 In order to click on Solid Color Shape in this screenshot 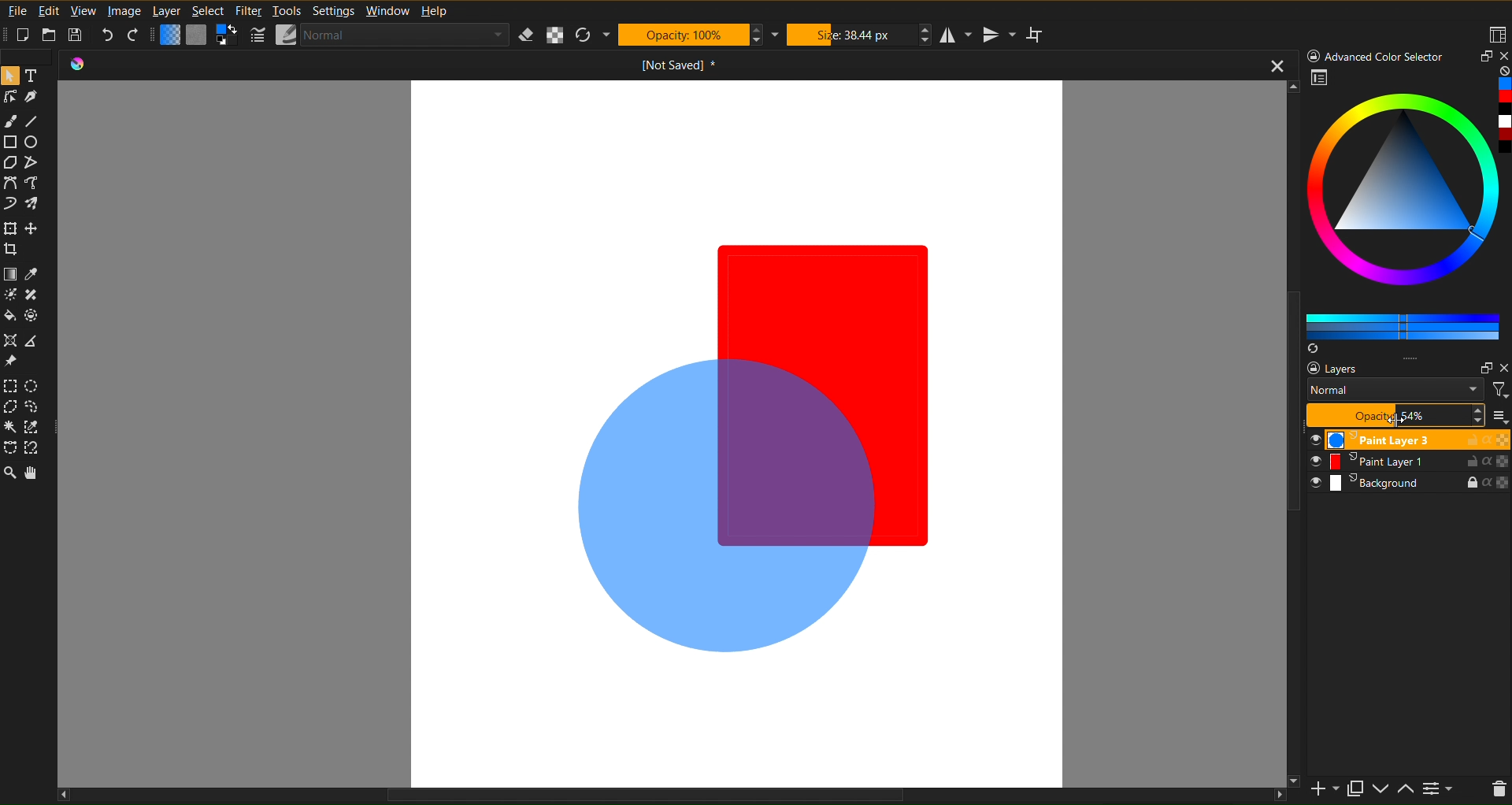, I will do `click(814, 284)`.